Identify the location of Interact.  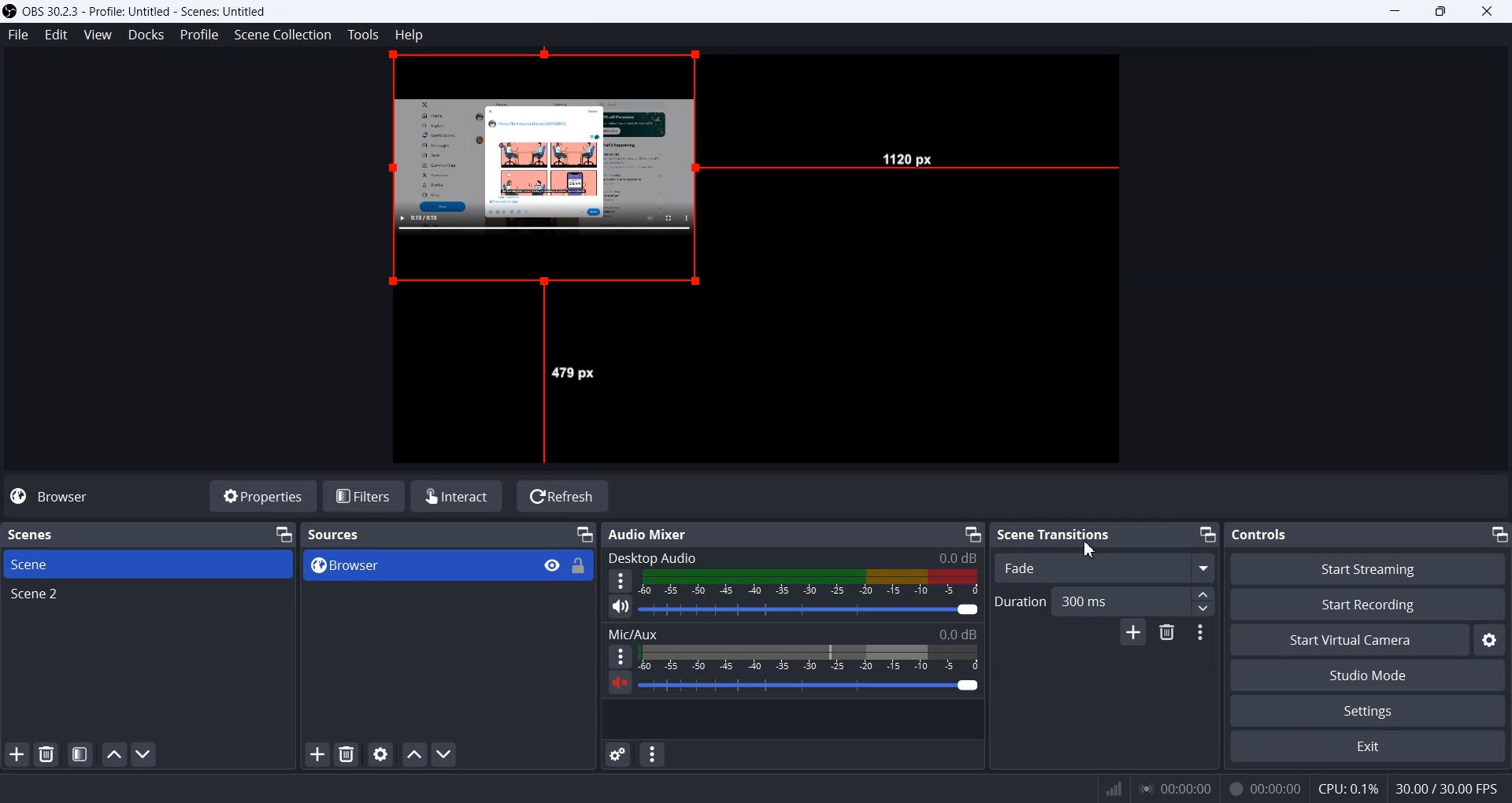
(458, 495).